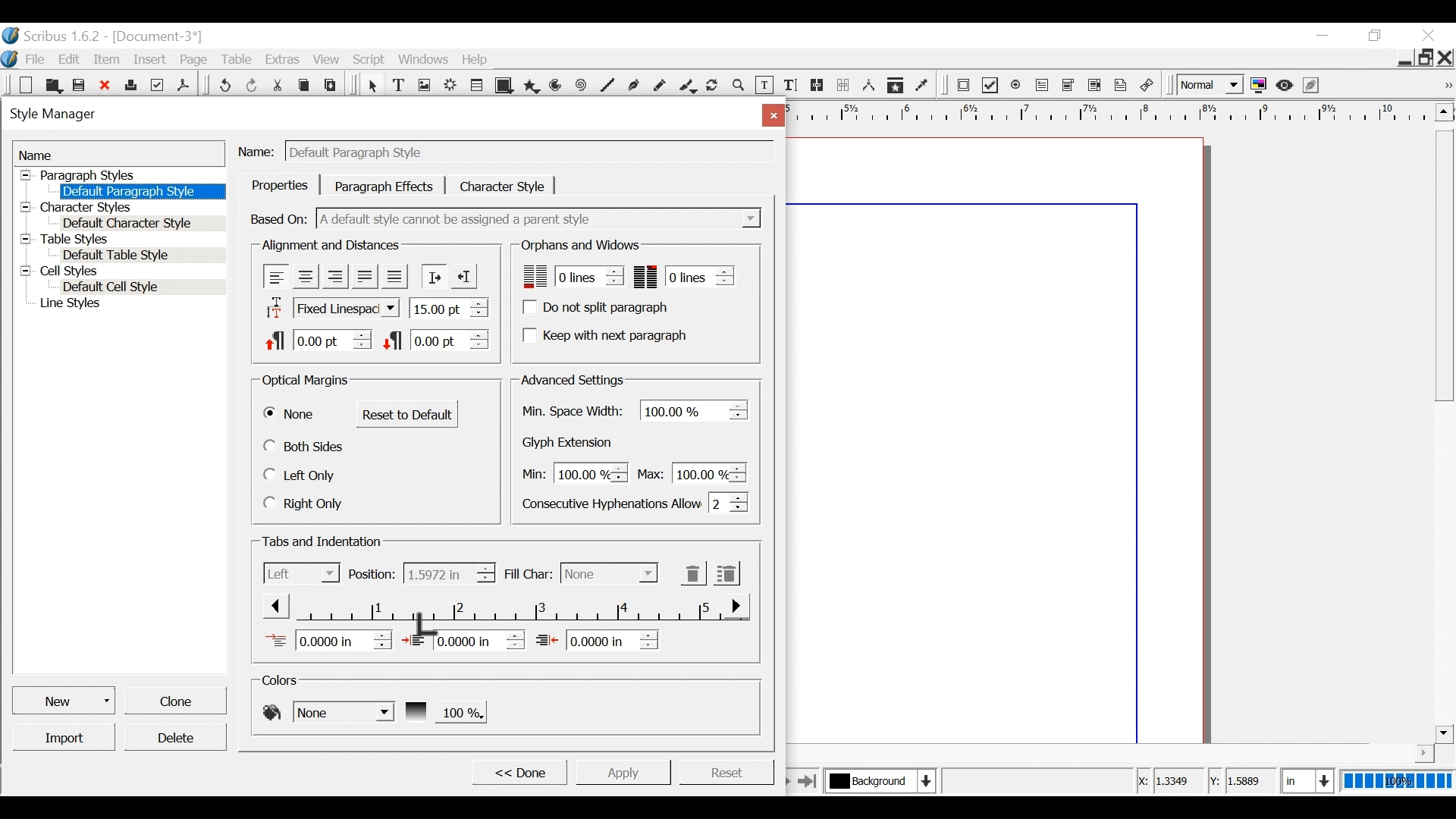  What do you see at coordinates (324, 542) in the screenshot?
I see `Tabs and Indentation` at bounding box center [324, 542].